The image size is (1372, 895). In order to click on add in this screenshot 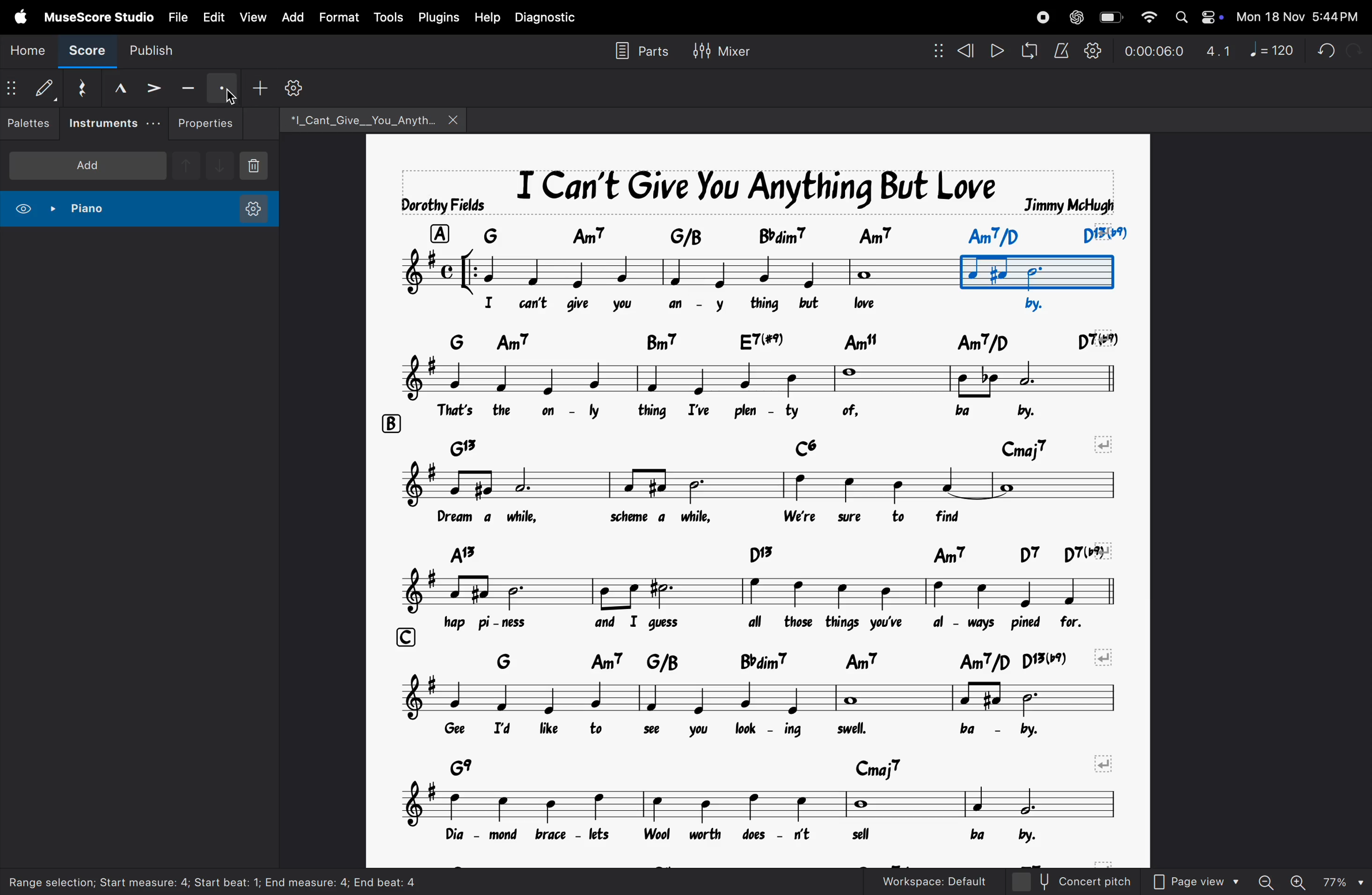, I will do `click(258, 87)`.